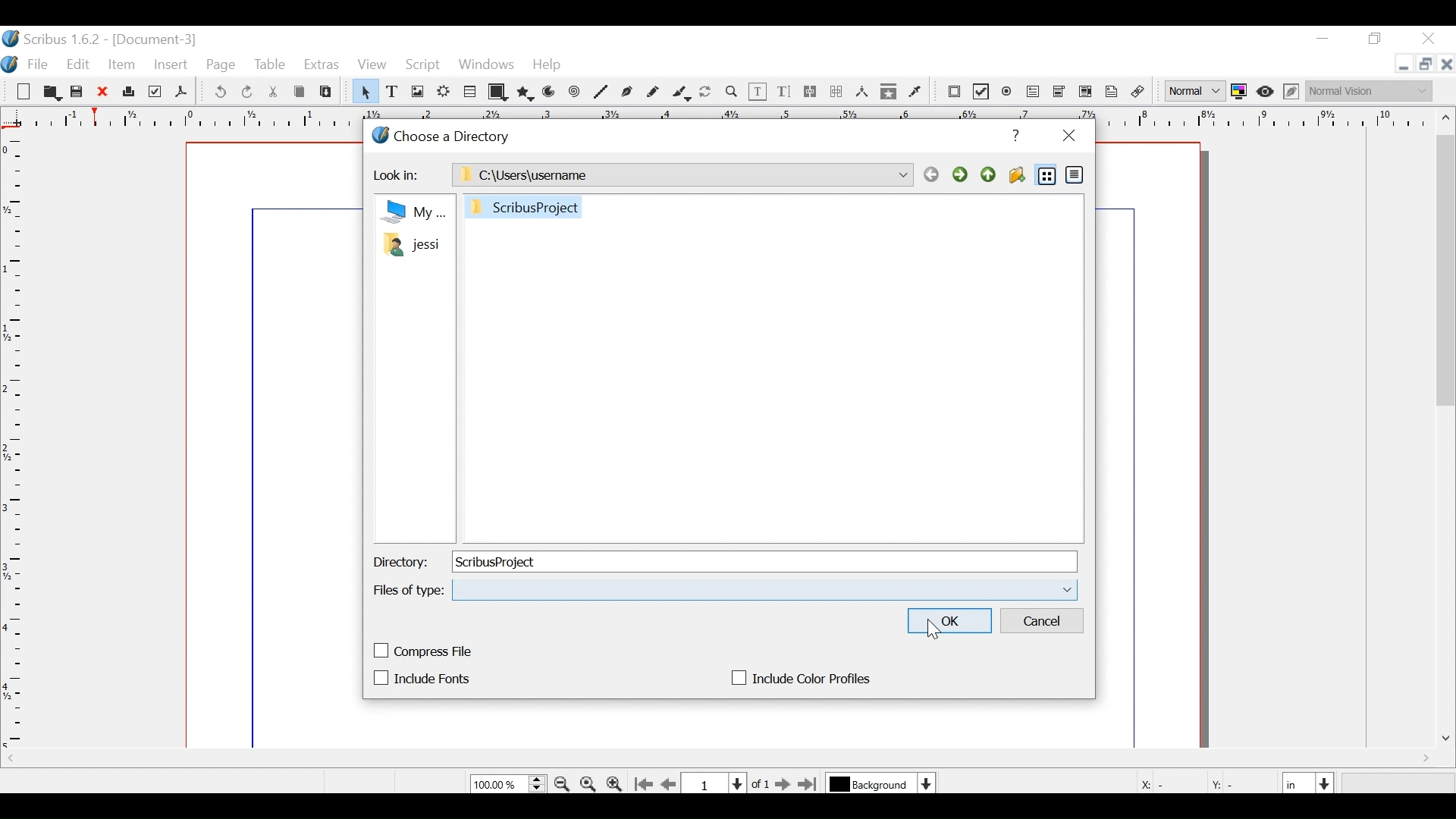 The image size is (1456, 819). I want to click on Close, so click(1068, 137).